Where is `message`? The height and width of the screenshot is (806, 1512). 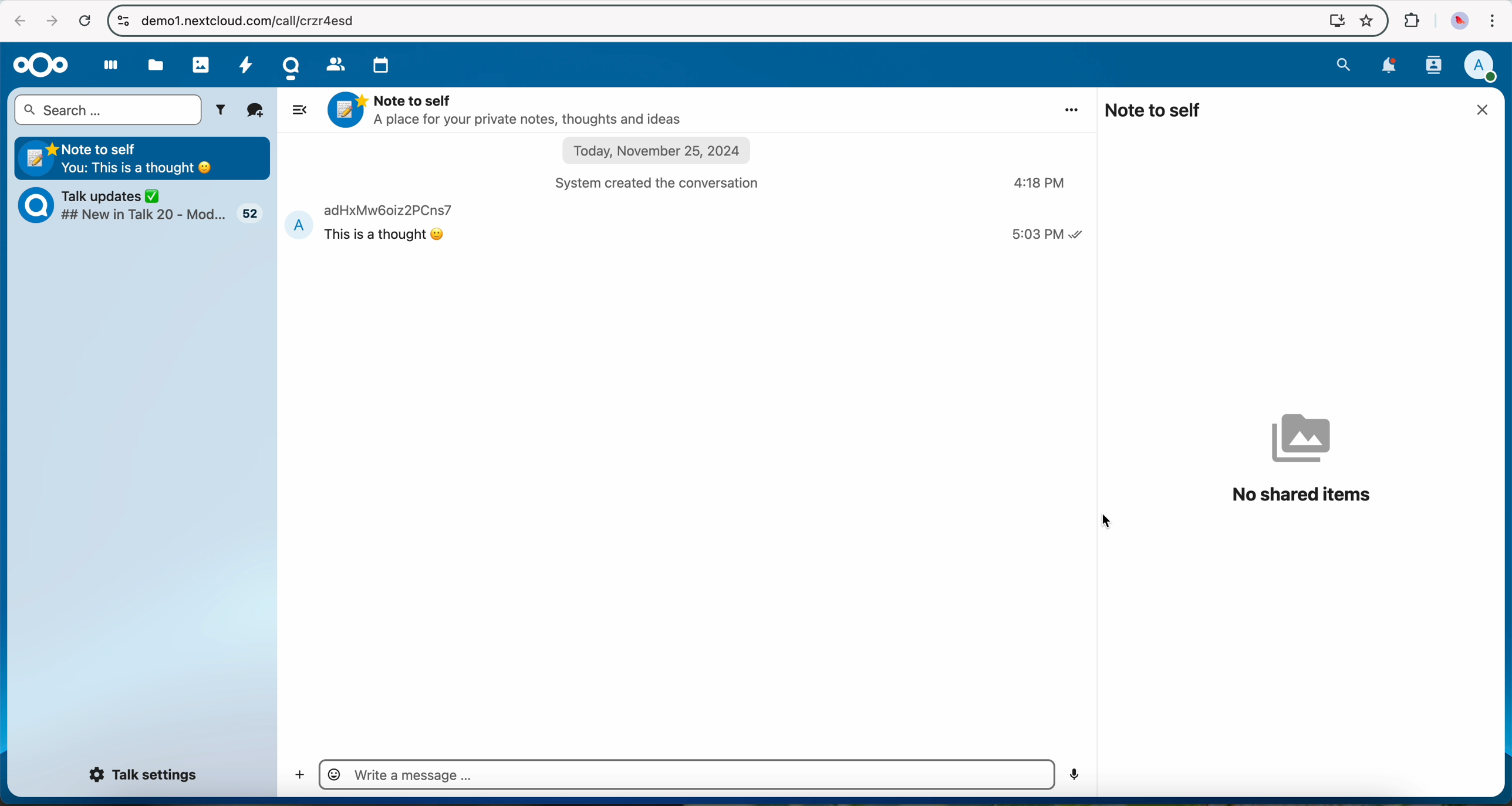 message is located at coordinates (415, 775).